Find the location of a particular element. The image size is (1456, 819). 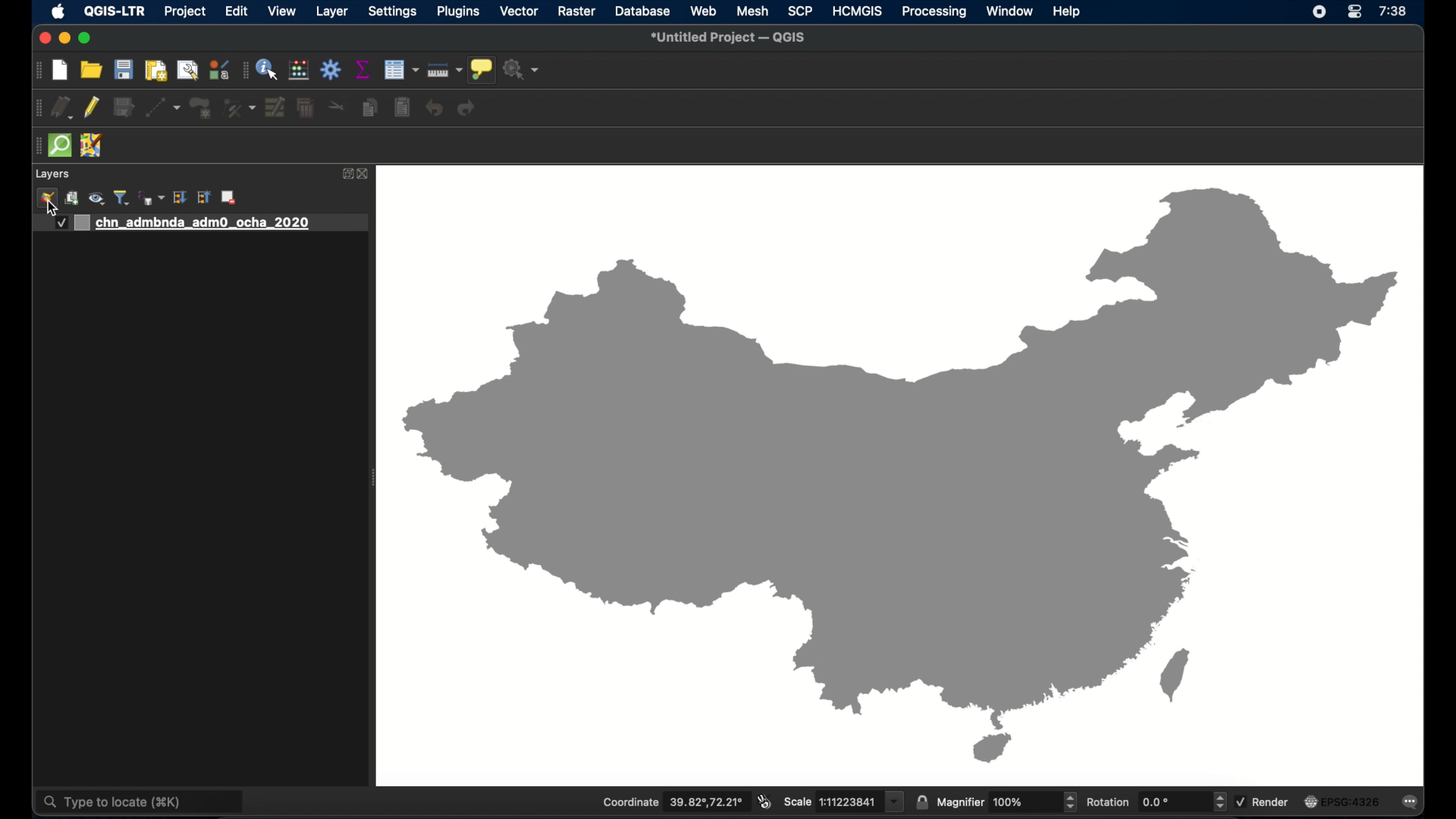

jsom remote is located at coordinates (93, 145).